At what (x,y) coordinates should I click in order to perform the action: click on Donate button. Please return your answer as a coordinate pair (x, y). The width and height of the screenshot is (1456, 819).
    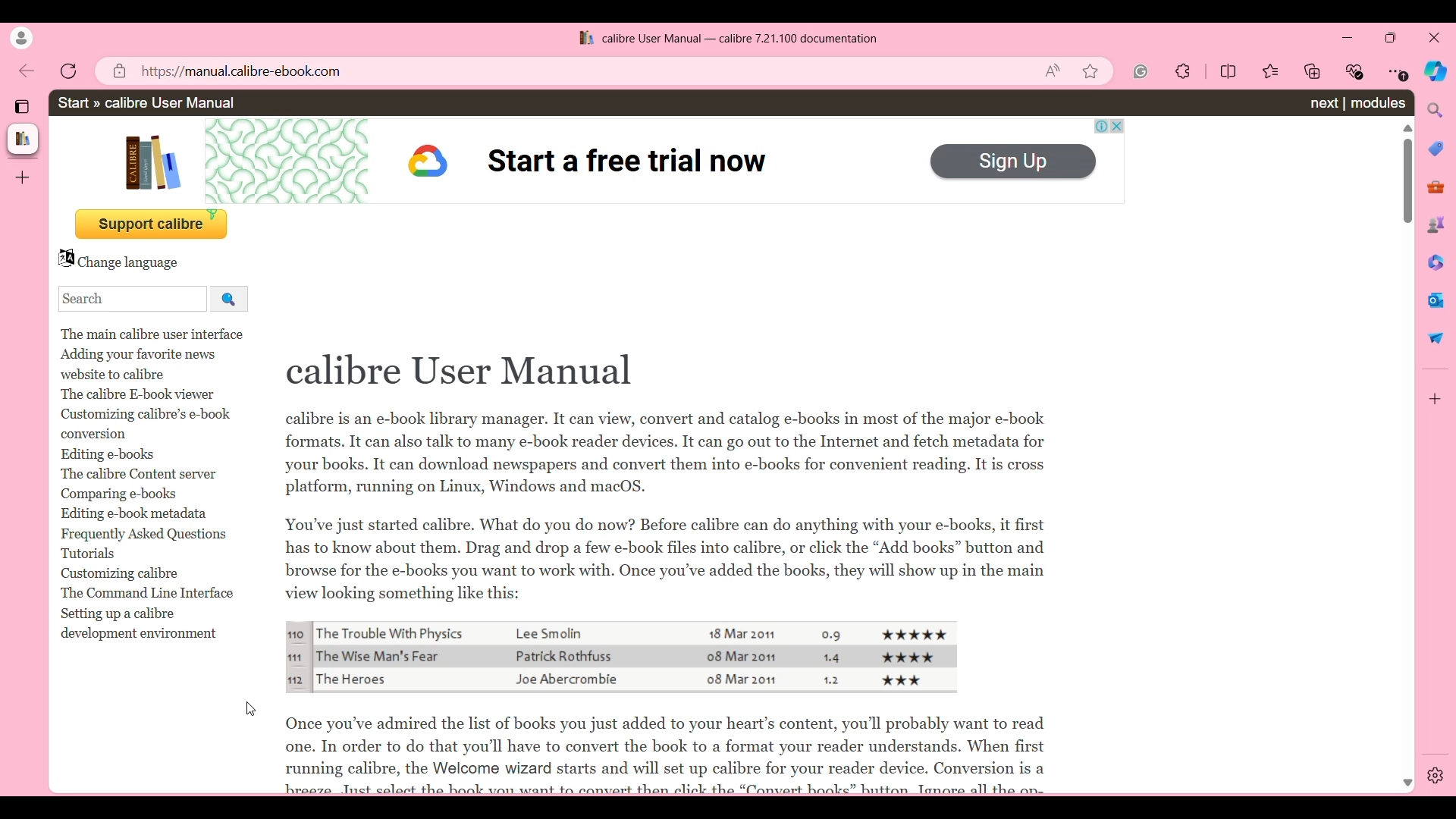
    Looking at the image, I should click on (150, 224).